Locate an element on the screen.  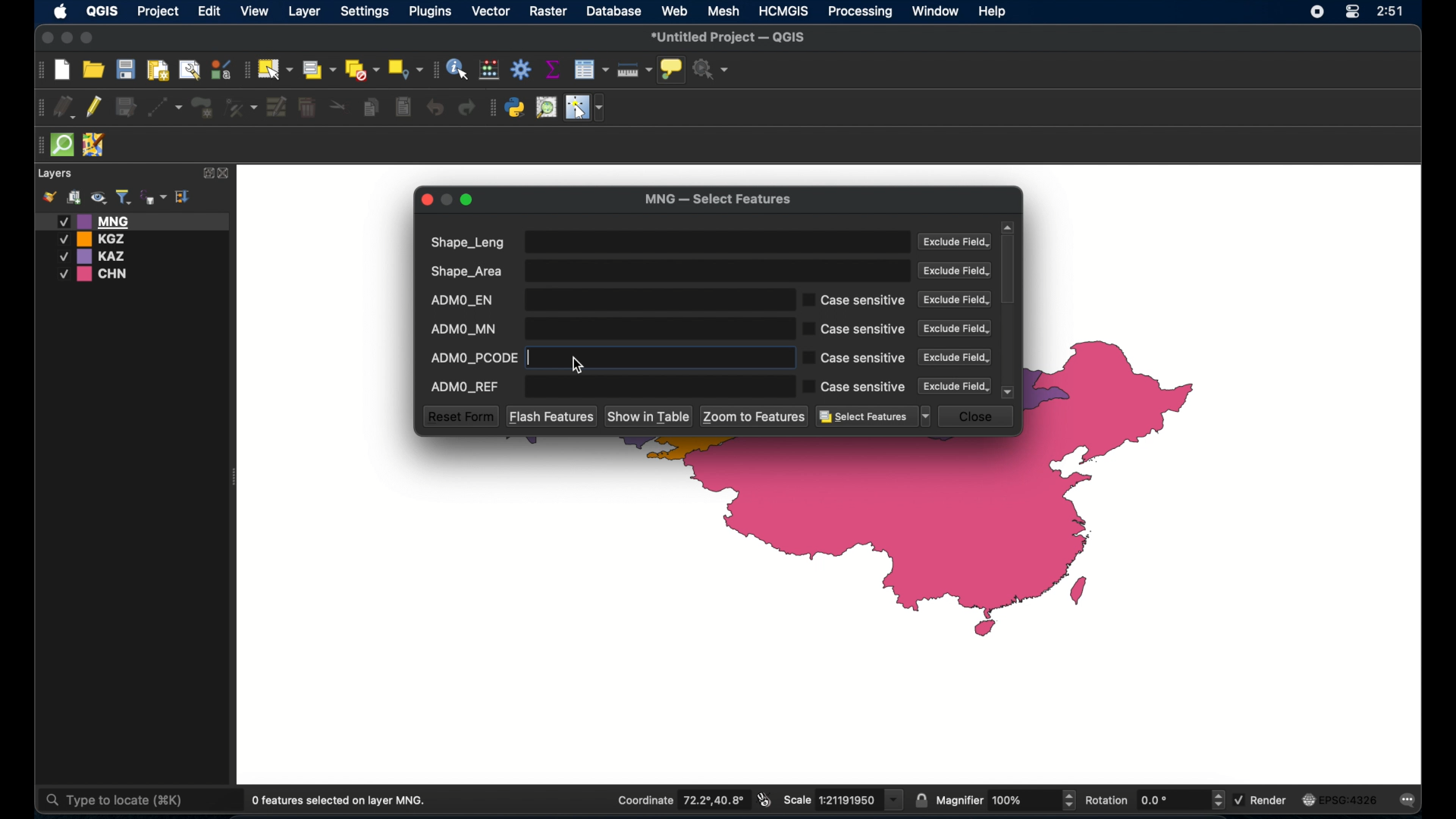
split features is located at coordinates (338, 108).